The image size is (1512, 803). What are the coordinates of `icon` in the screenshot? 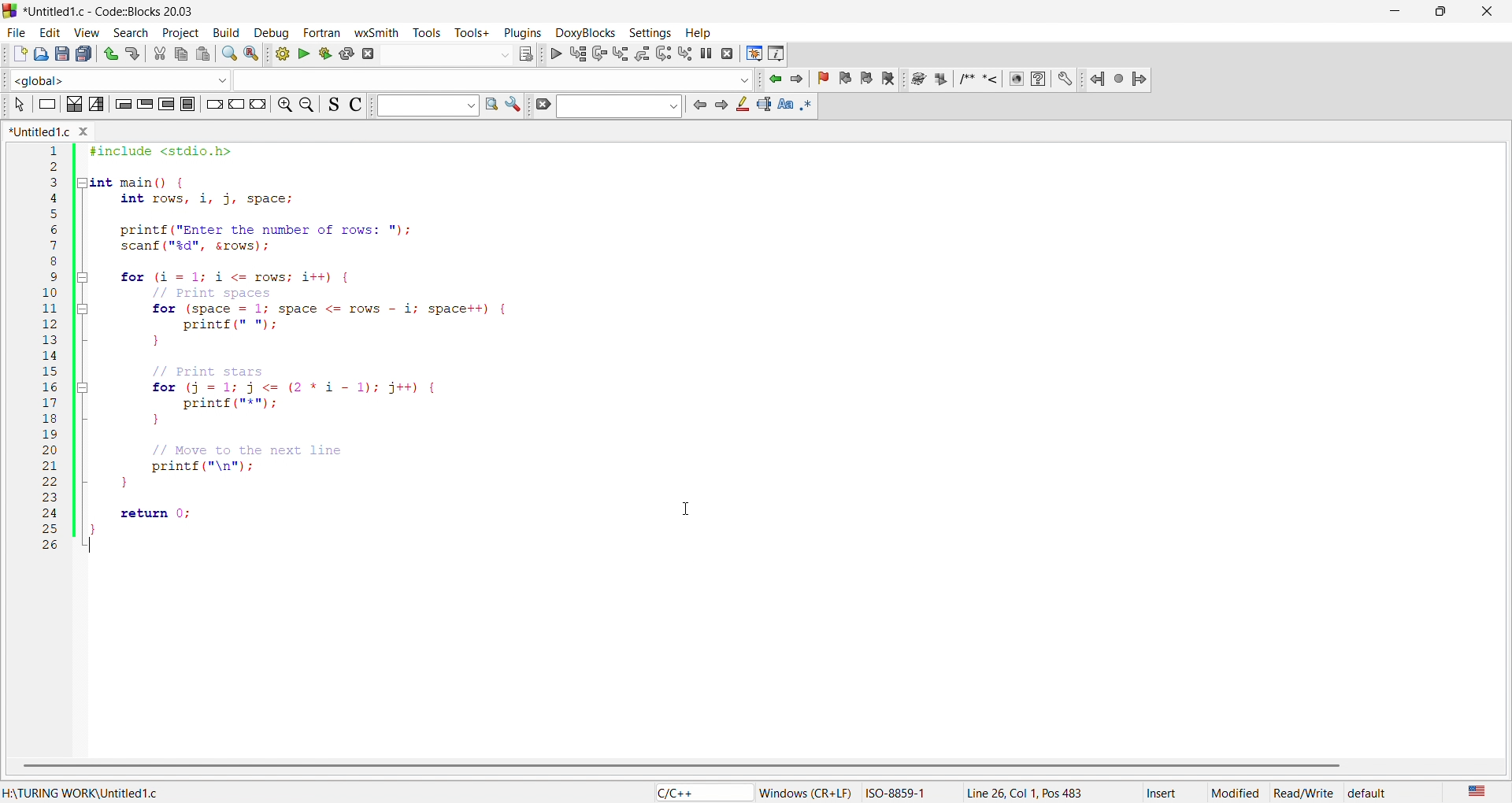 It's located at (118, 105).